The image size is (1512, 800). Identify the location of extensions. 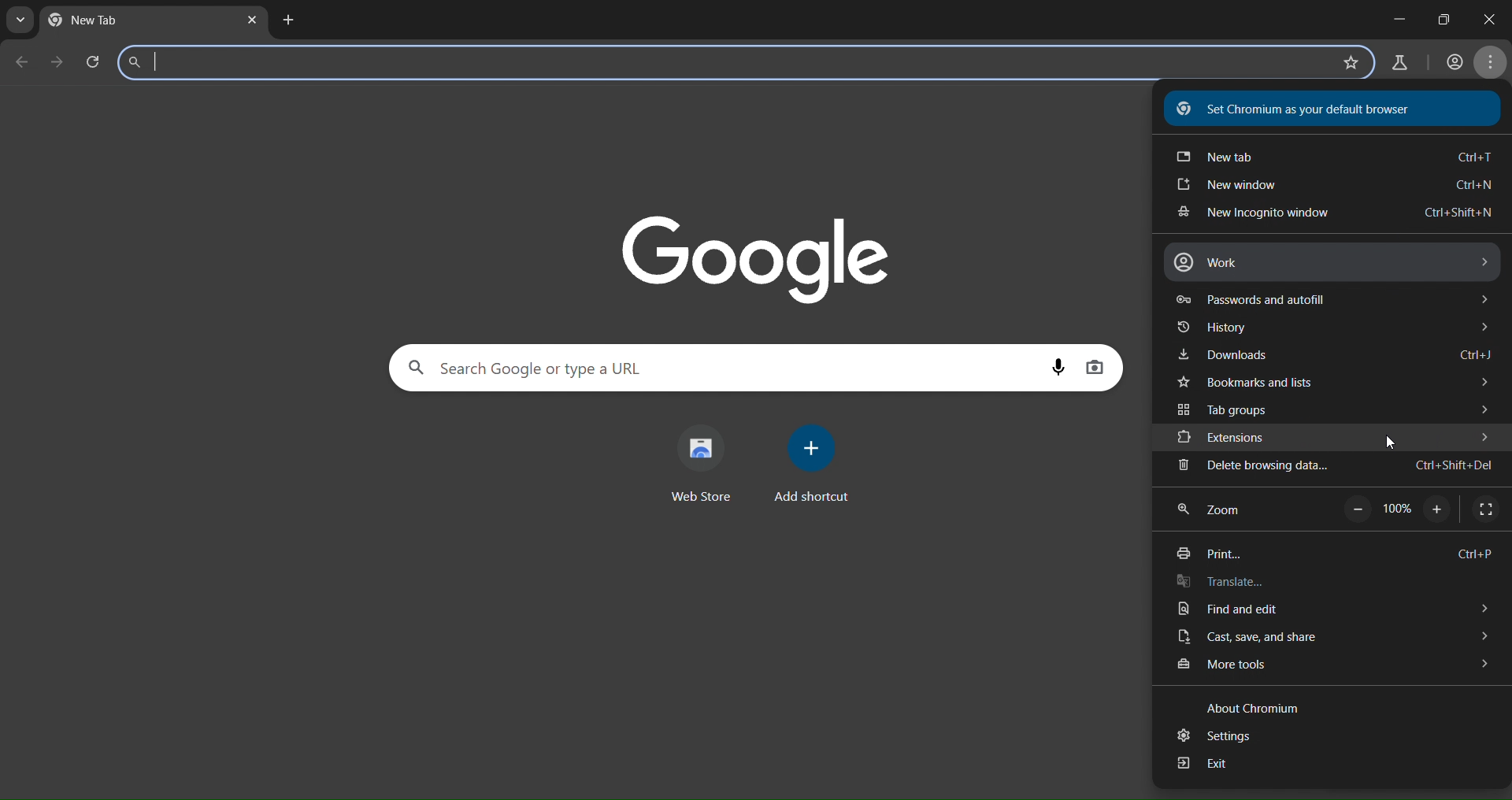
(1340, 435).